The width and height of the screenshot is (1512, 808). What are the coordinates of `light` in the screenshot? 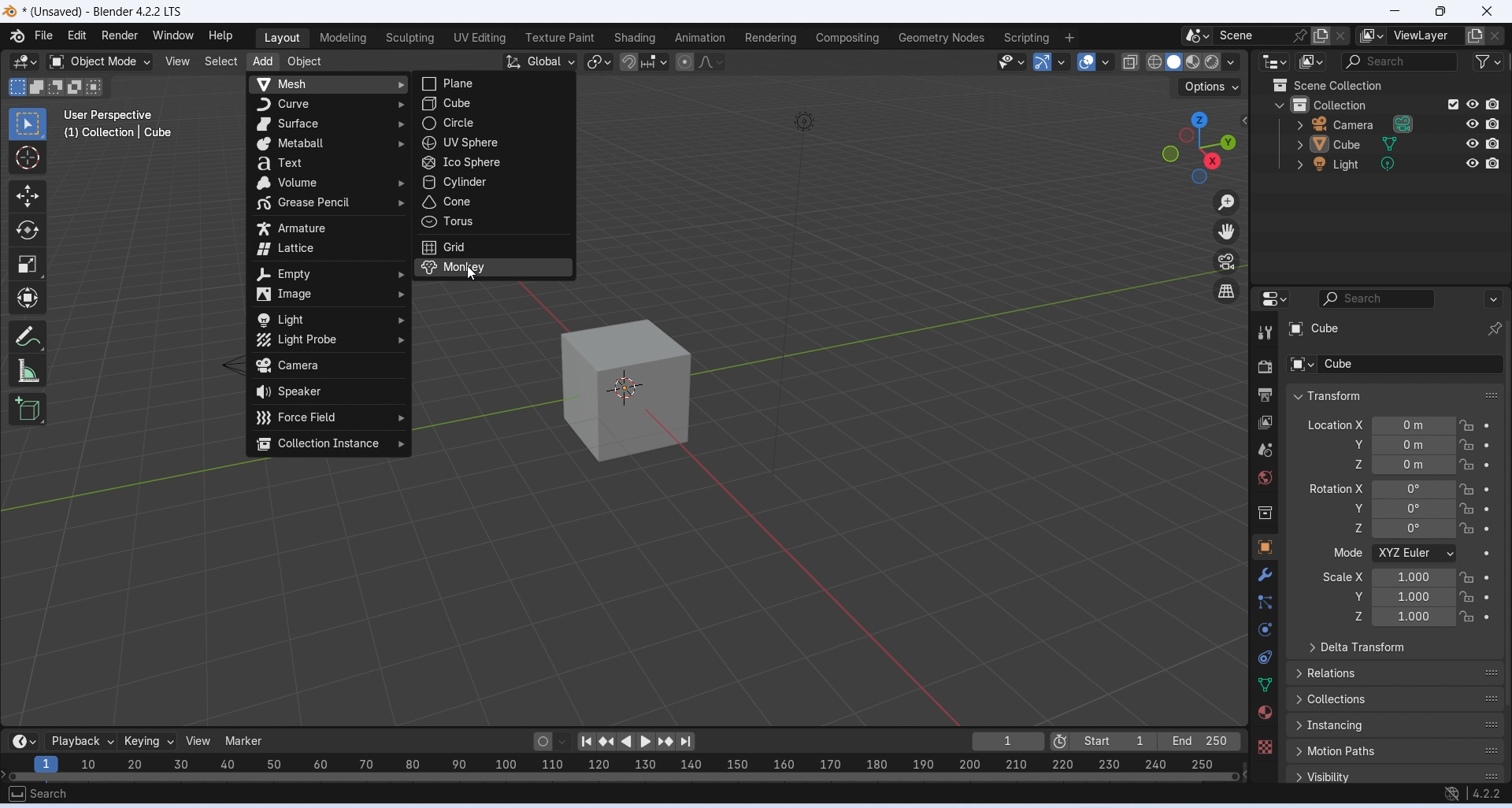 It's located at (328, 320).